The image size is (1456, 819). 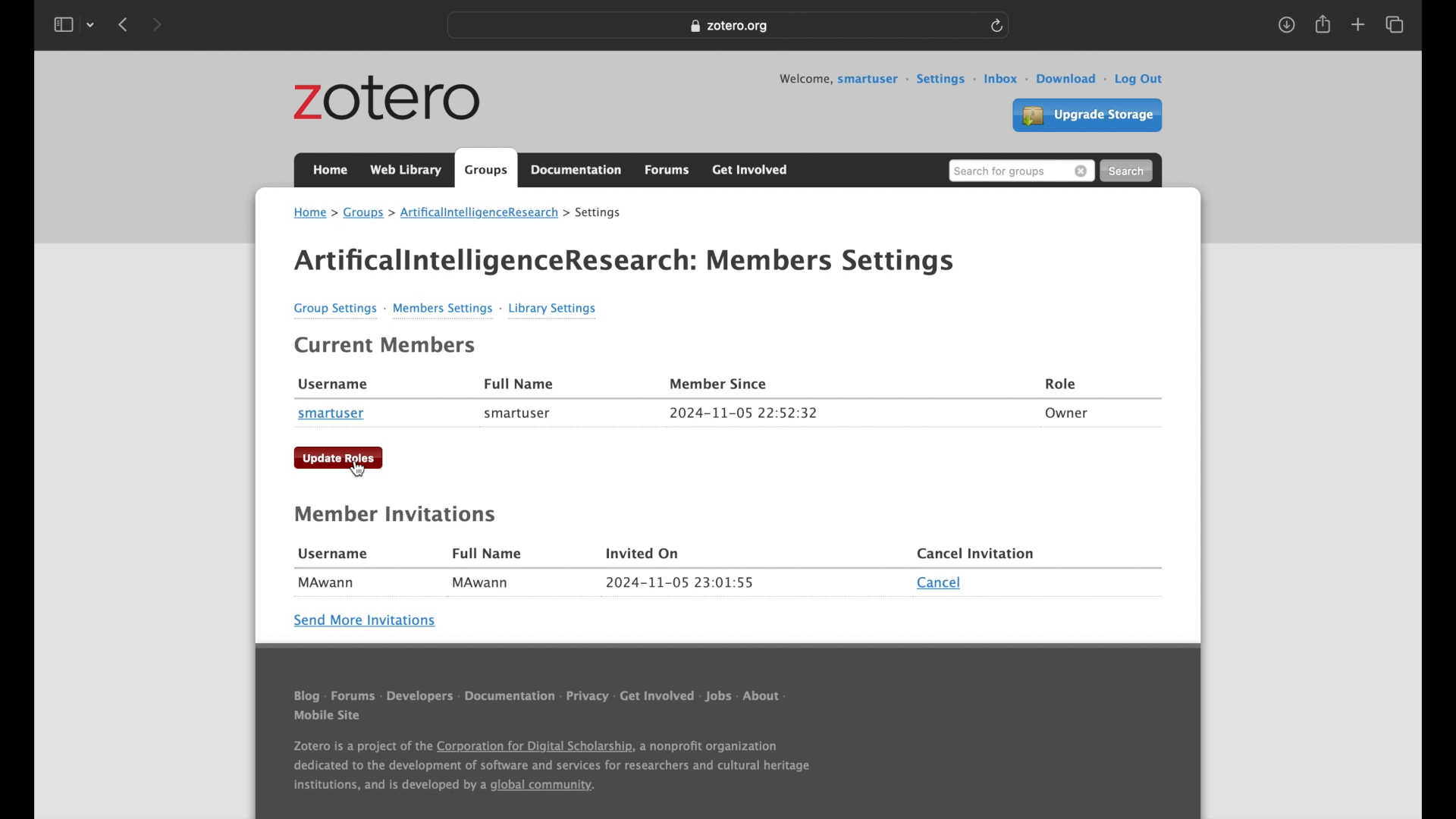 I want to click on settings, so click(x=946, y=80).